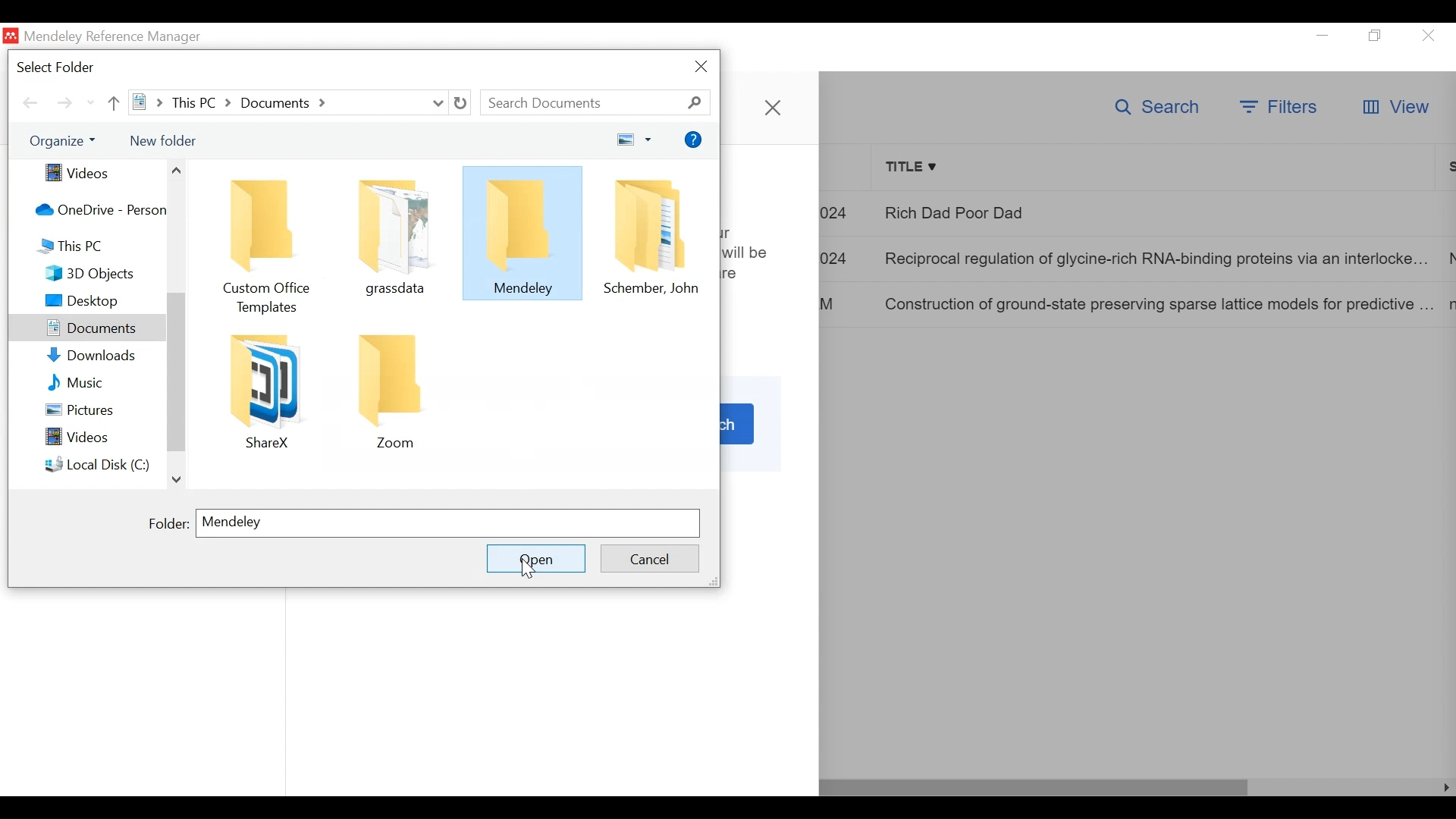  What do you see at coordinates (536, 558) in the screenshot?
I see `Open` at bounding box center [536, 558].